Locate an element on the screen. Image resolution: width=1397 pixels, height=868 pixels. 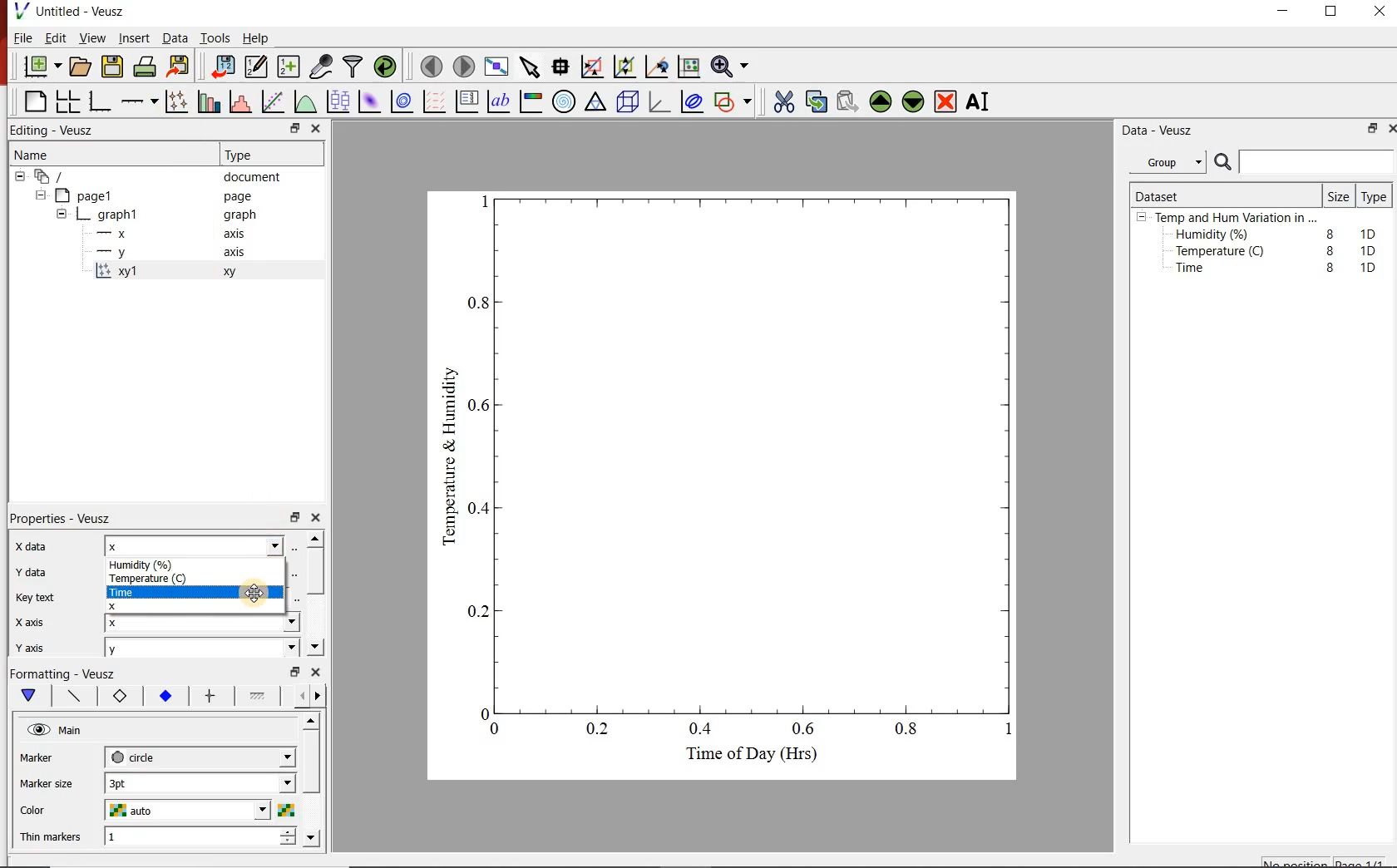
hide sub menu is located at coordinates (62, 213).